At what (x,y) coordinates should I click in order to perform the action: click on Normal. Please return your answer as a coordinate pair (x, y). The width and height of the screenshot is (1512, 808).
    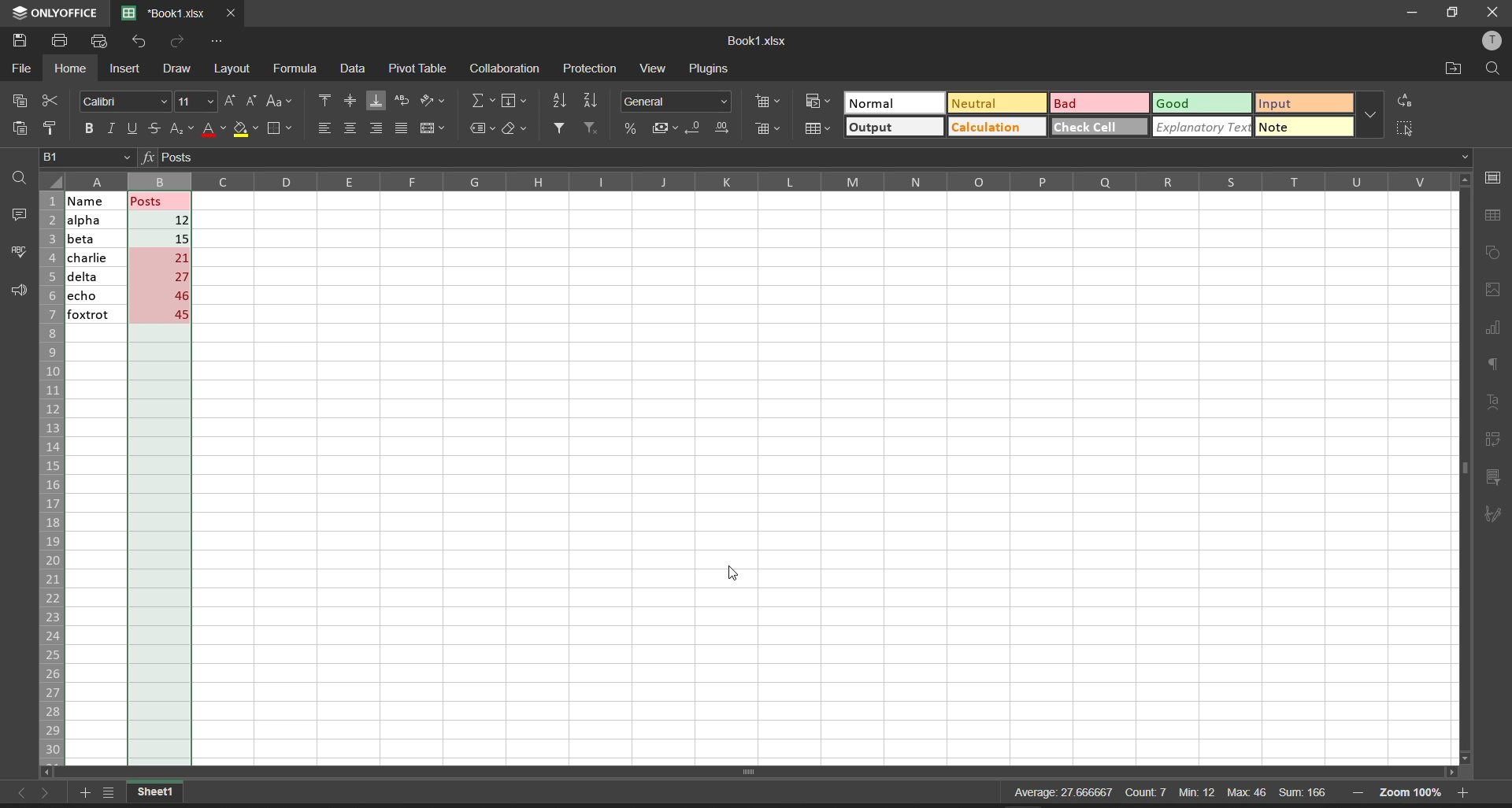
    Looking at the image, I should click on (873, 104).